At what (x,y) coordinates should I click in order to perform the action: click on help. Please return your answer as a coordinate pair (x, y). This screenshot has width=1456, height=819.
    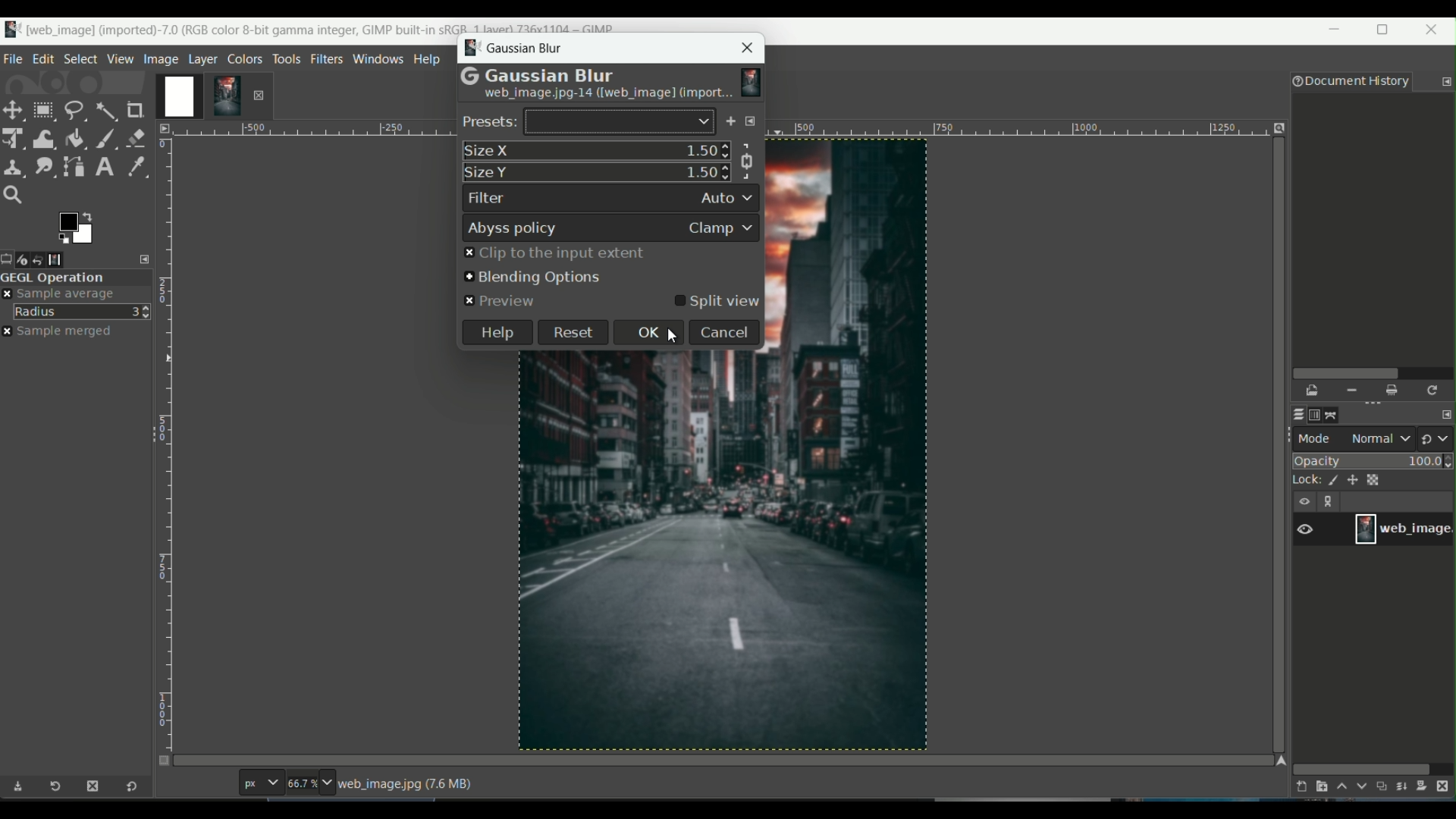
    Looking at the image, I should click on (497, 333).